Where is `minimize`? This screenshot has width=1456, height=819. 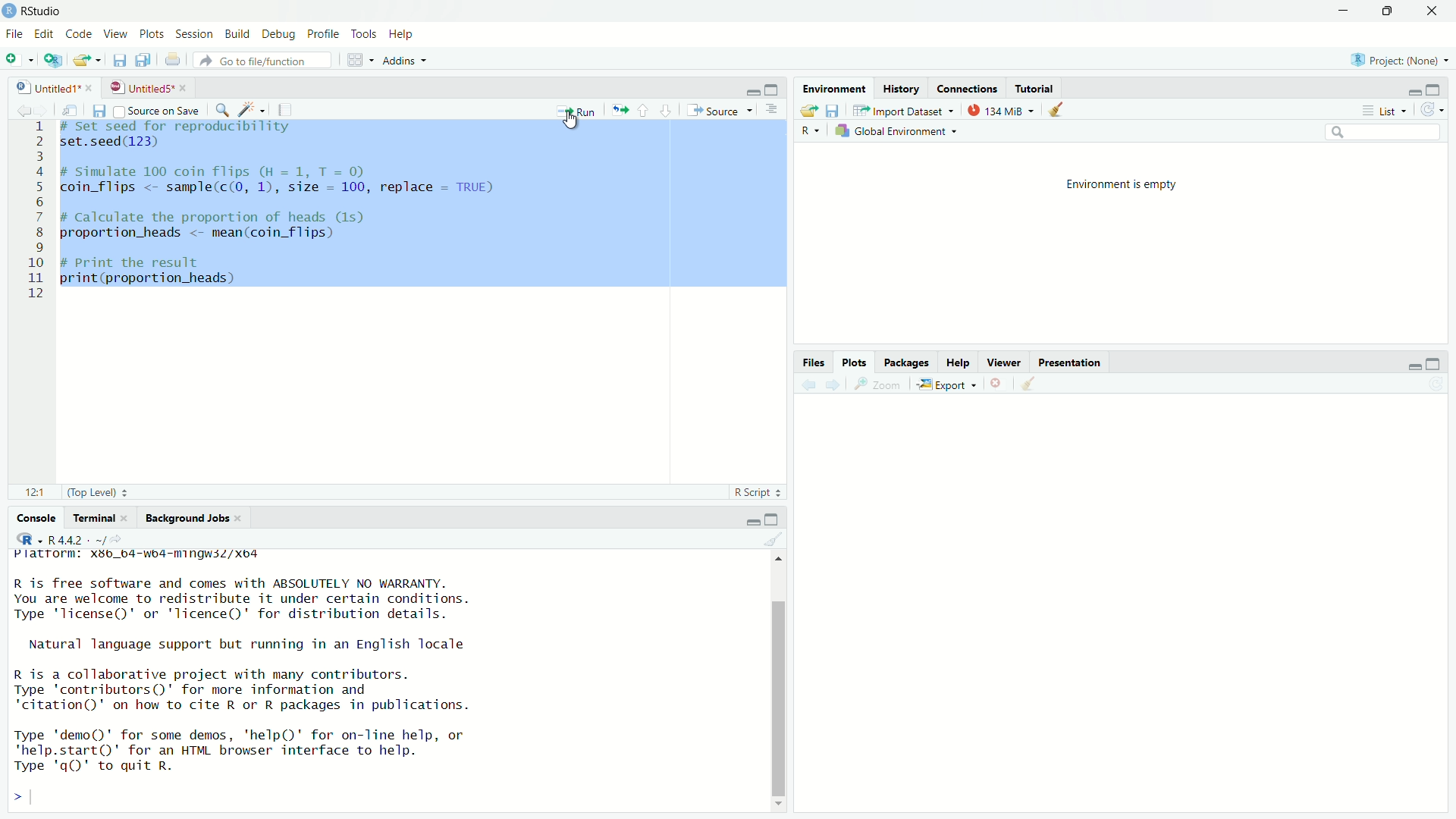
minimize is located at coordinates (1409, 88).